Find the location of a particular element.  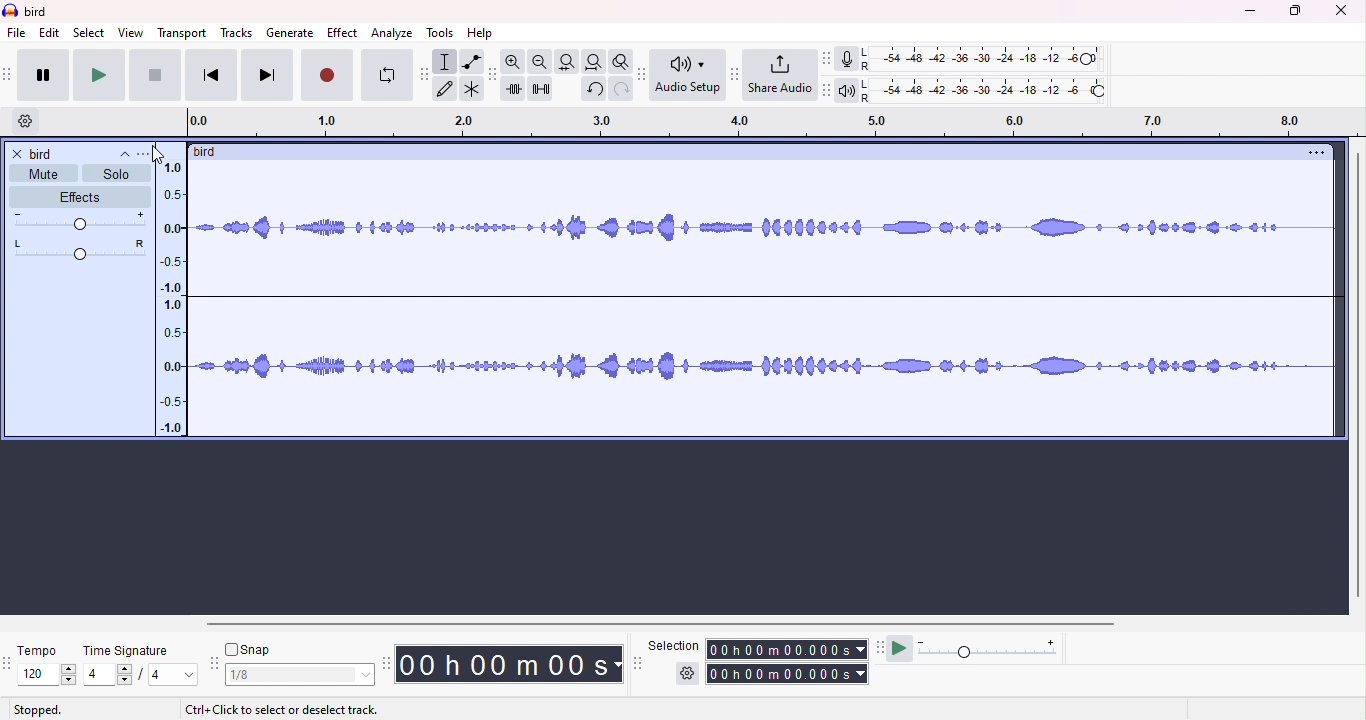

pause is located at coordinates (44, 75).